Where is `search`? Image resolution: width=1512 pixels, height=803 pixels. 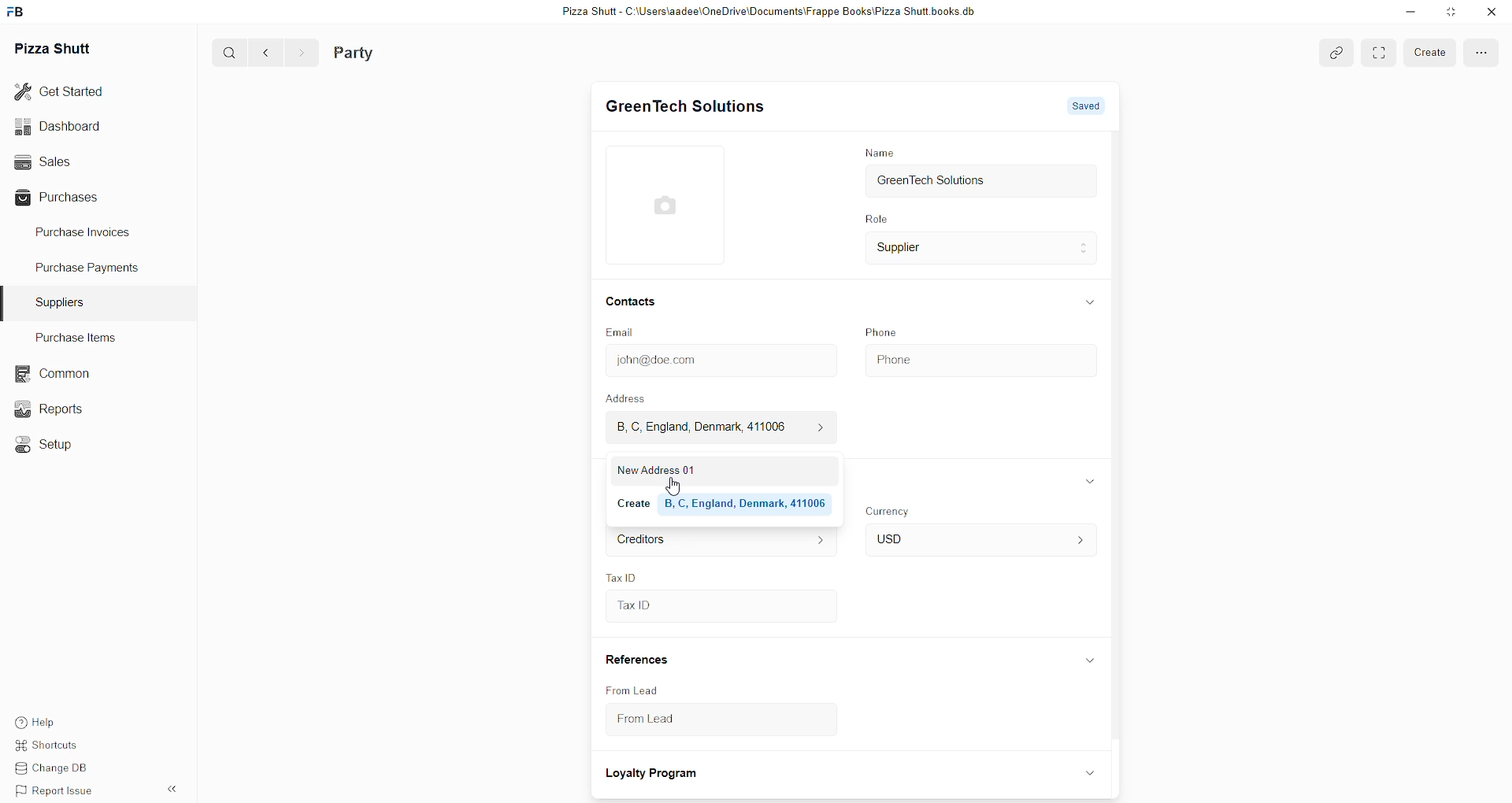 search is located at coordinates (224, 54).